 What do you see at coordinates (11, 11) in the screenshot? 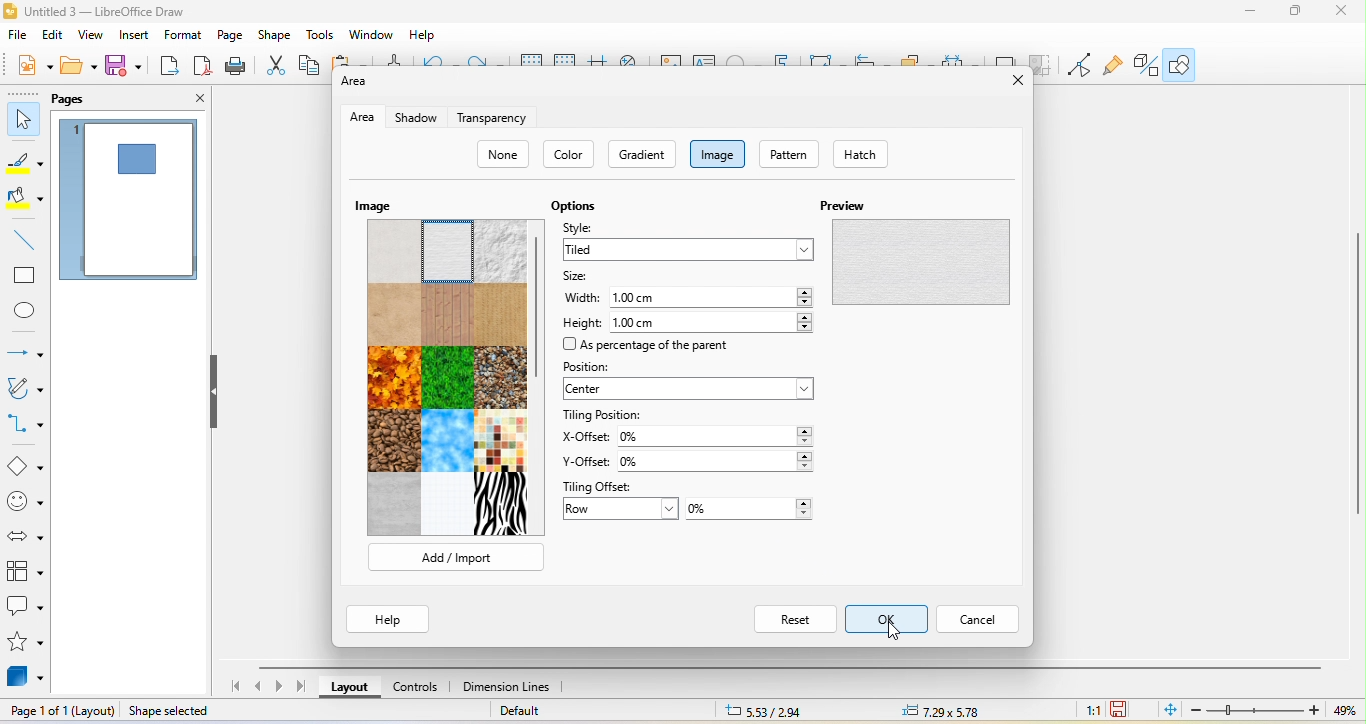
I see `LibreOffice logo` at bounding box center [11, 11].